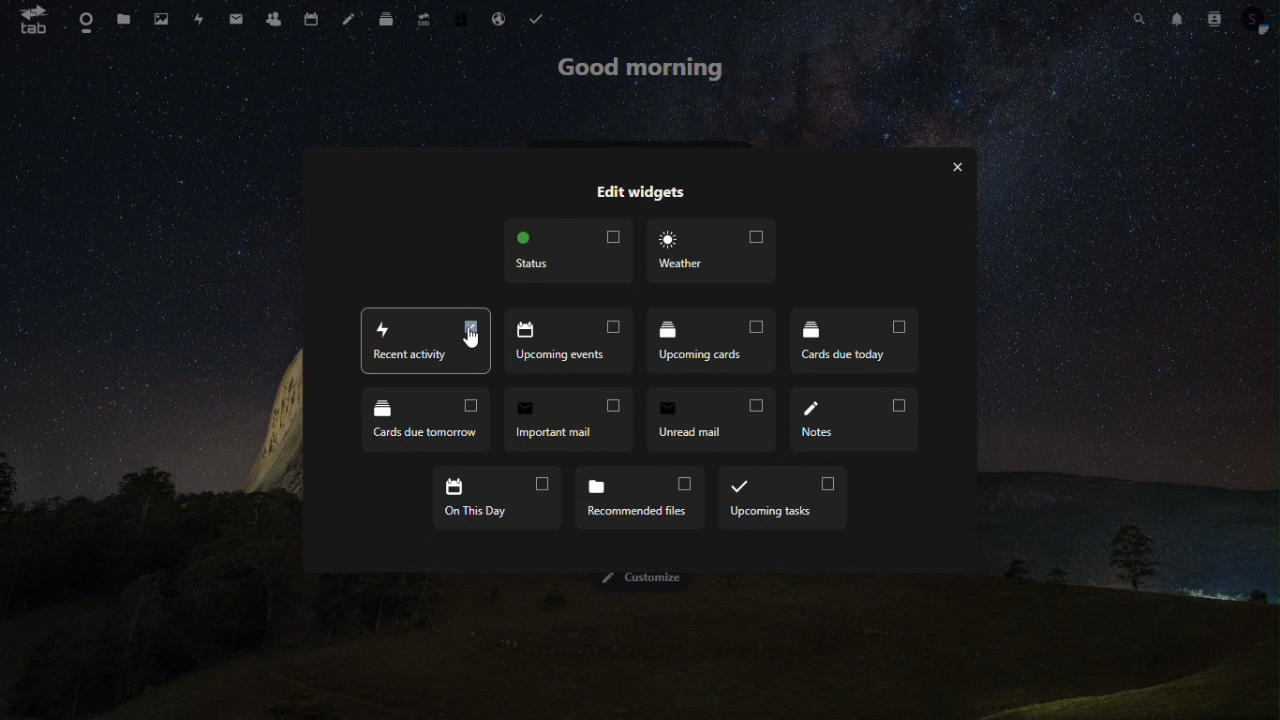 This screenshot has height=720, width=1280. What do you see at coordinates (1256, 21) in the screenshot?
I see `profile` at bounding box center [1256, 21].